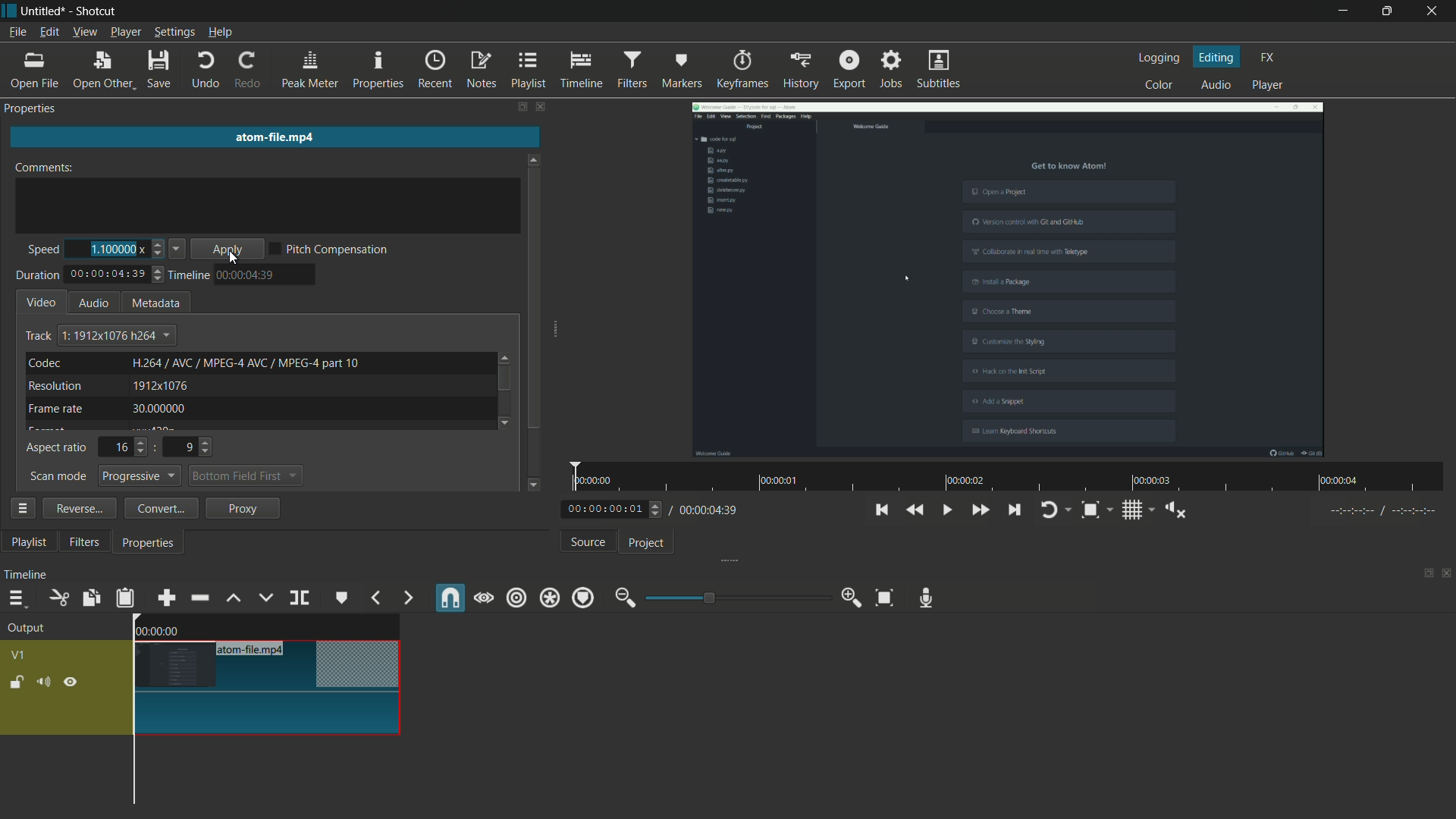 The height and width of the screenshot is (819, 1456). What do you see at coordinates (29, 542) in the screenshot?
I see `playlist` at bounding box center [29, 542].